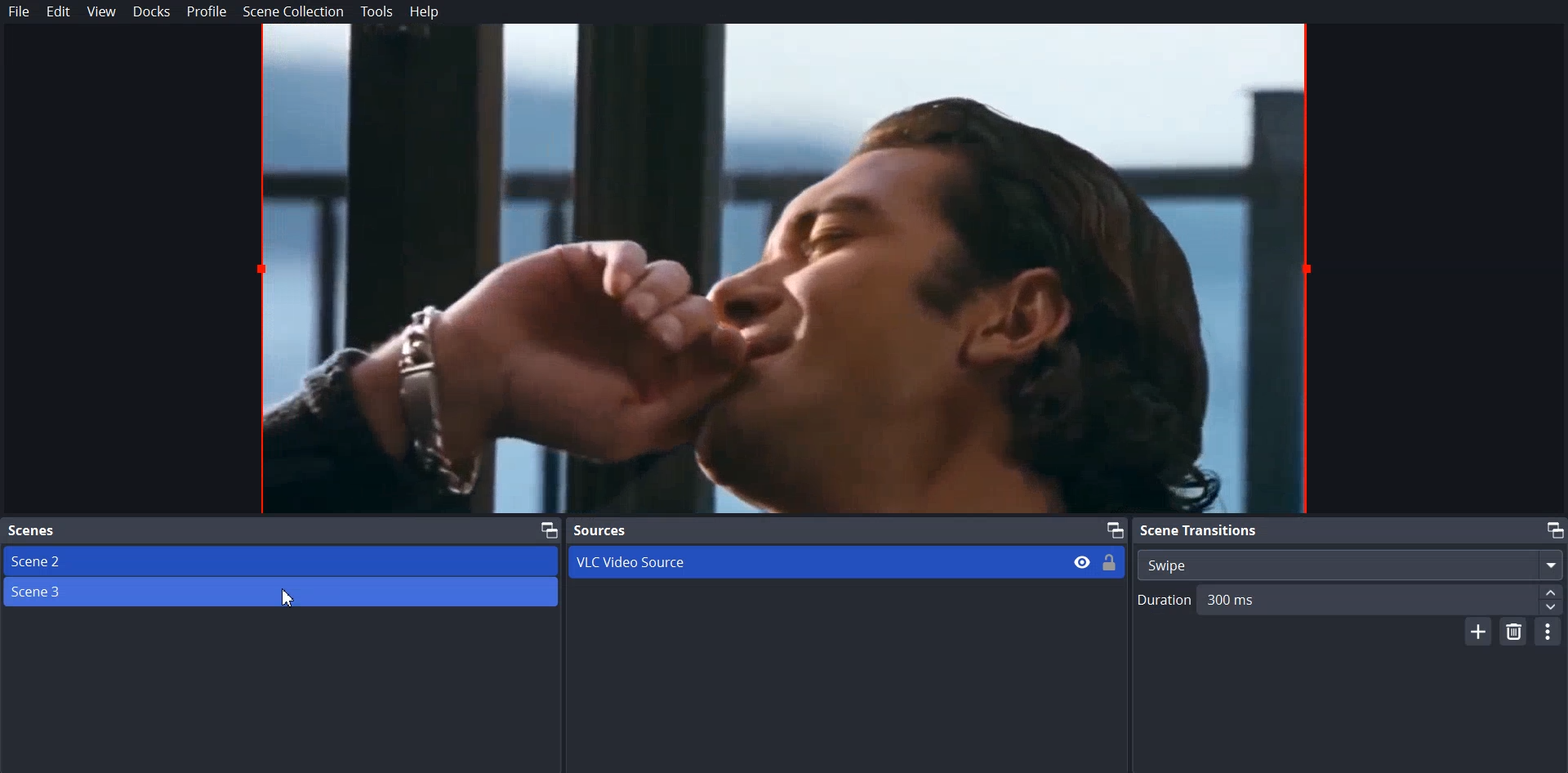 Image resolution: width=1568 pixels, height=773 pixels. Describe the element at coordinates (1348, 529) in the screenshot. I see `Scene Transition` at that location.